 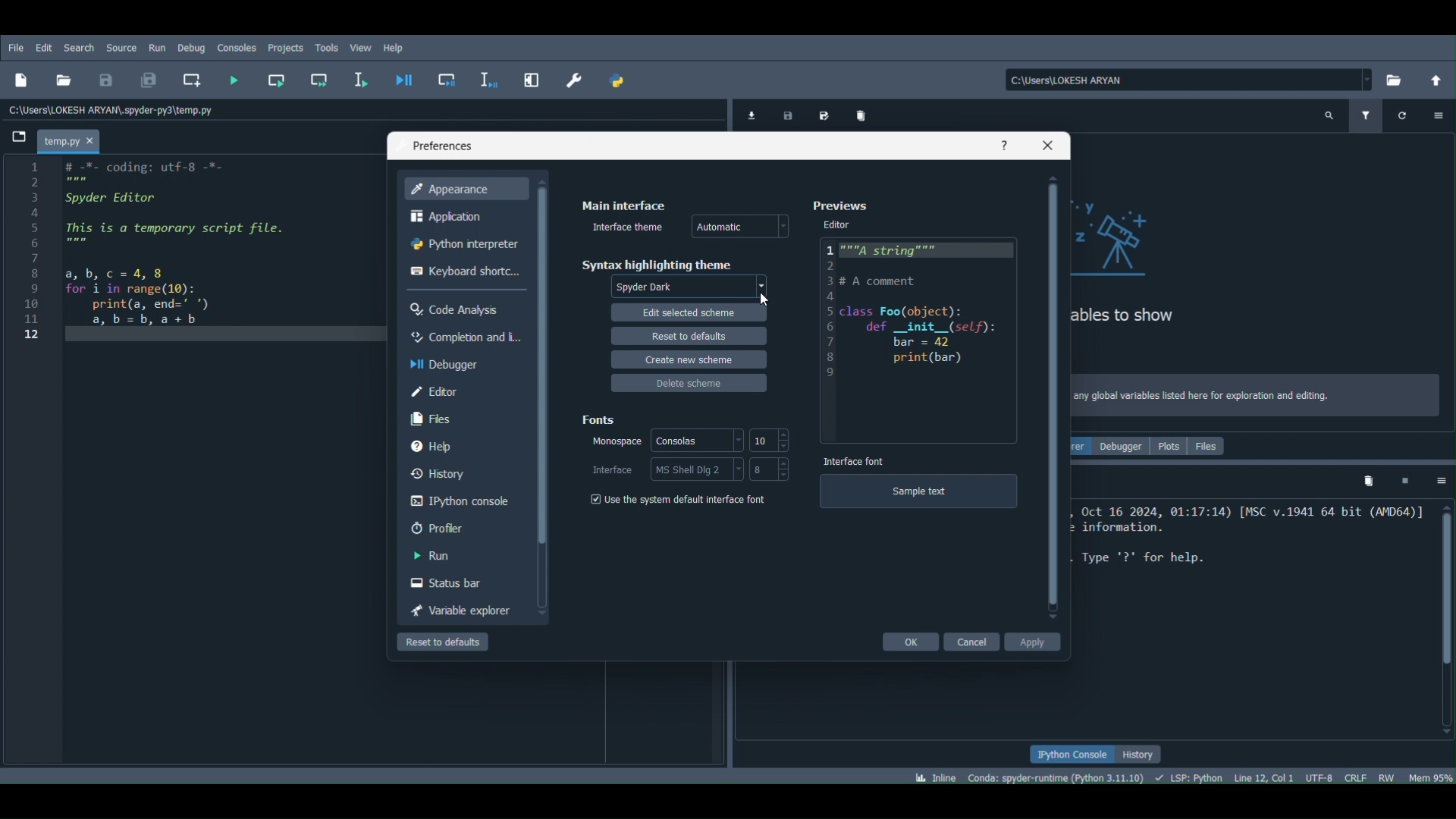 What do you see at coordinates (465, 418) in the screenshot?
I see `Files` at bounding box center [465, 418].